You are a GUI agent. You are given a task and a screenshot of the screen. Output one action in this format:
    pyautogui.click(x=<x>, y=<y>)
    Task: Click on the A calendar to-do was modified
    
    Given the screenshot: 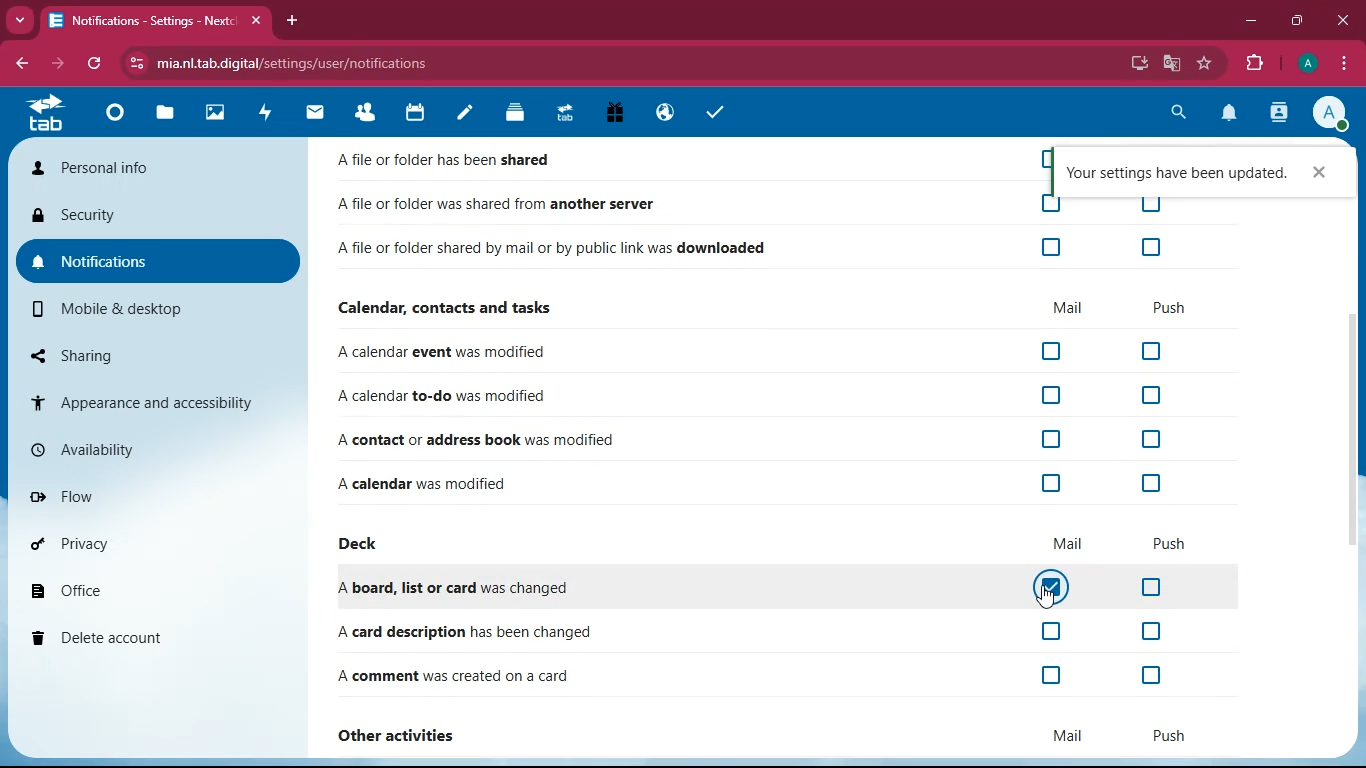 What is the action you would take?
    pyautogui.click(x=459, y=393)
    